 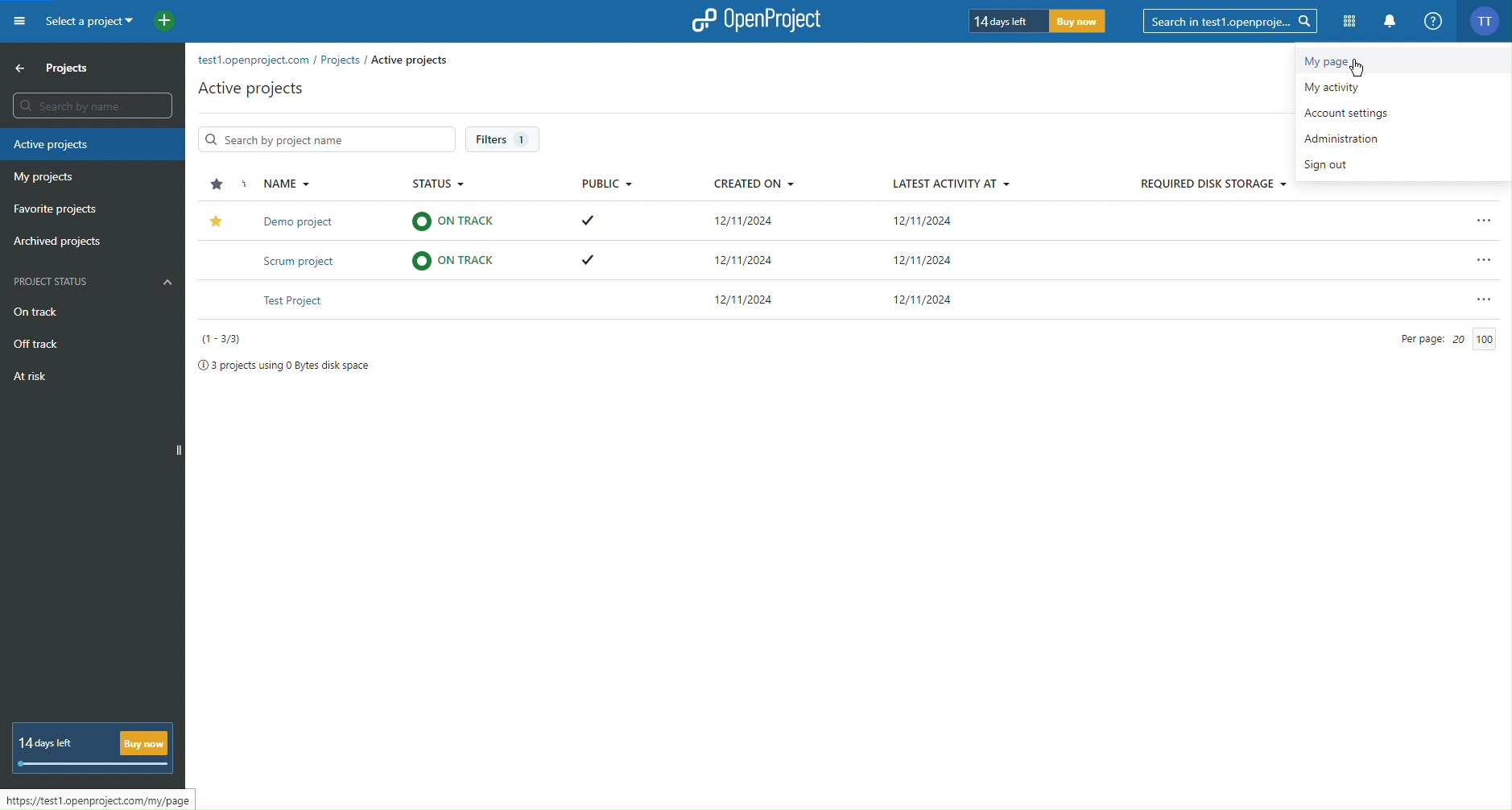 I want to click on 12/11/2024, so click(x=752, y=302).